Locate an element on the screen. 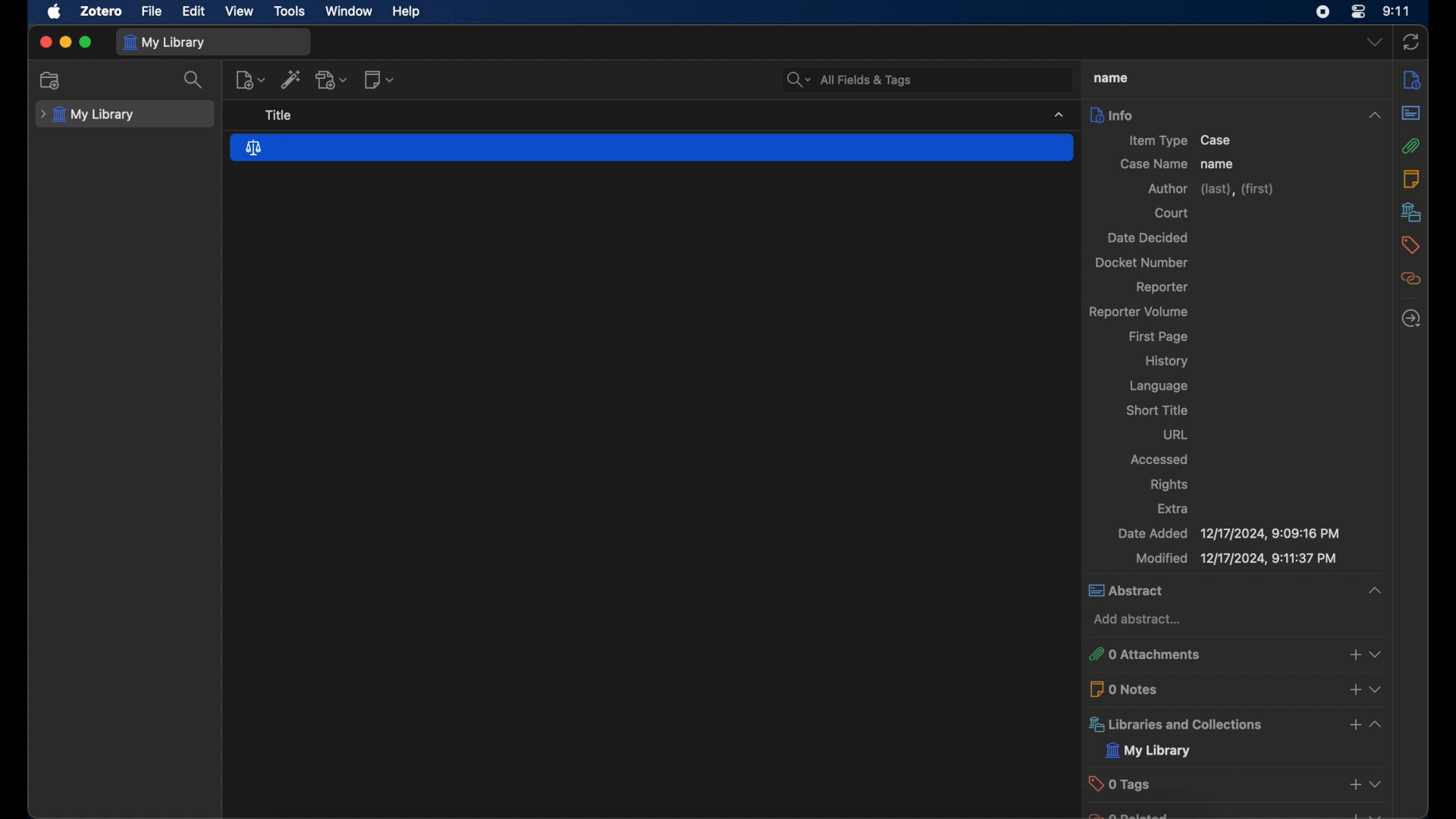  new item is located at coordinates (250, 80).